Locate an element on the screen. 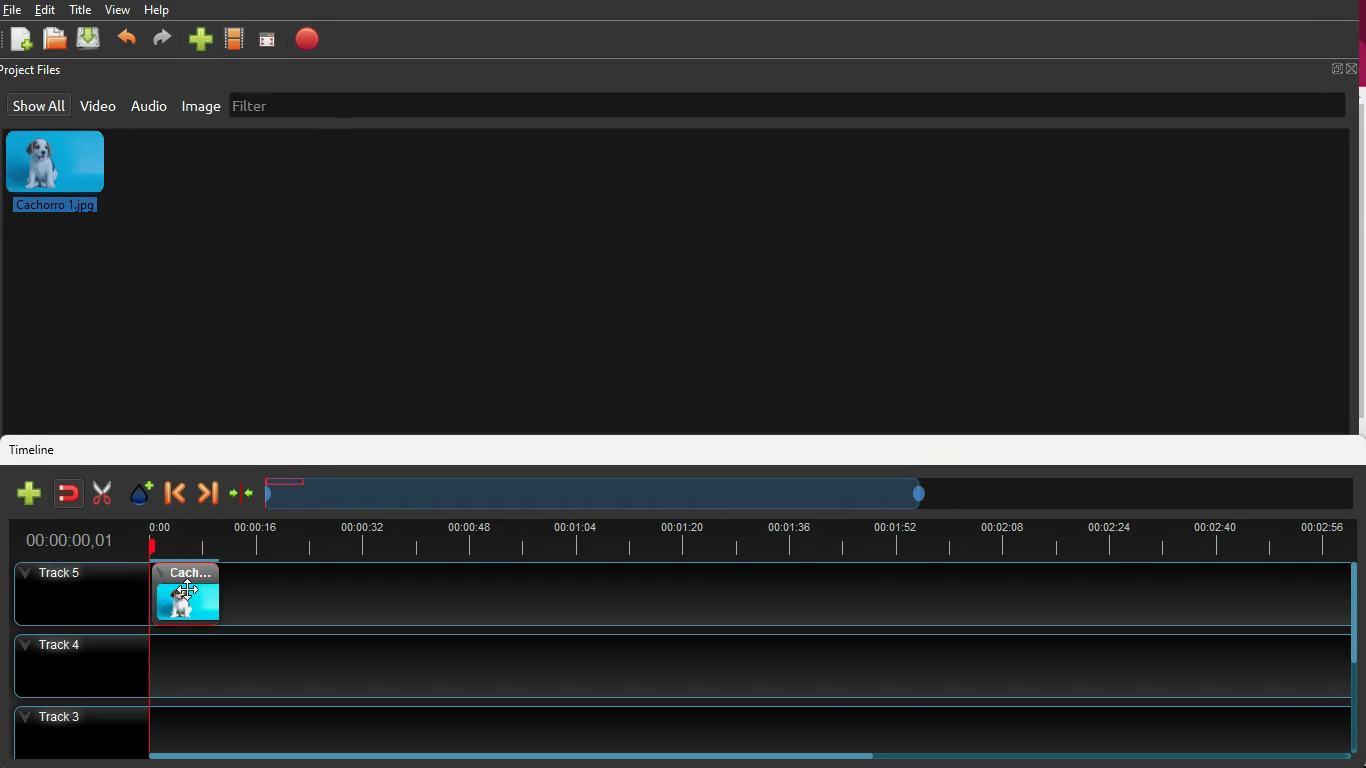  stop is located at coordinates (312, 38).